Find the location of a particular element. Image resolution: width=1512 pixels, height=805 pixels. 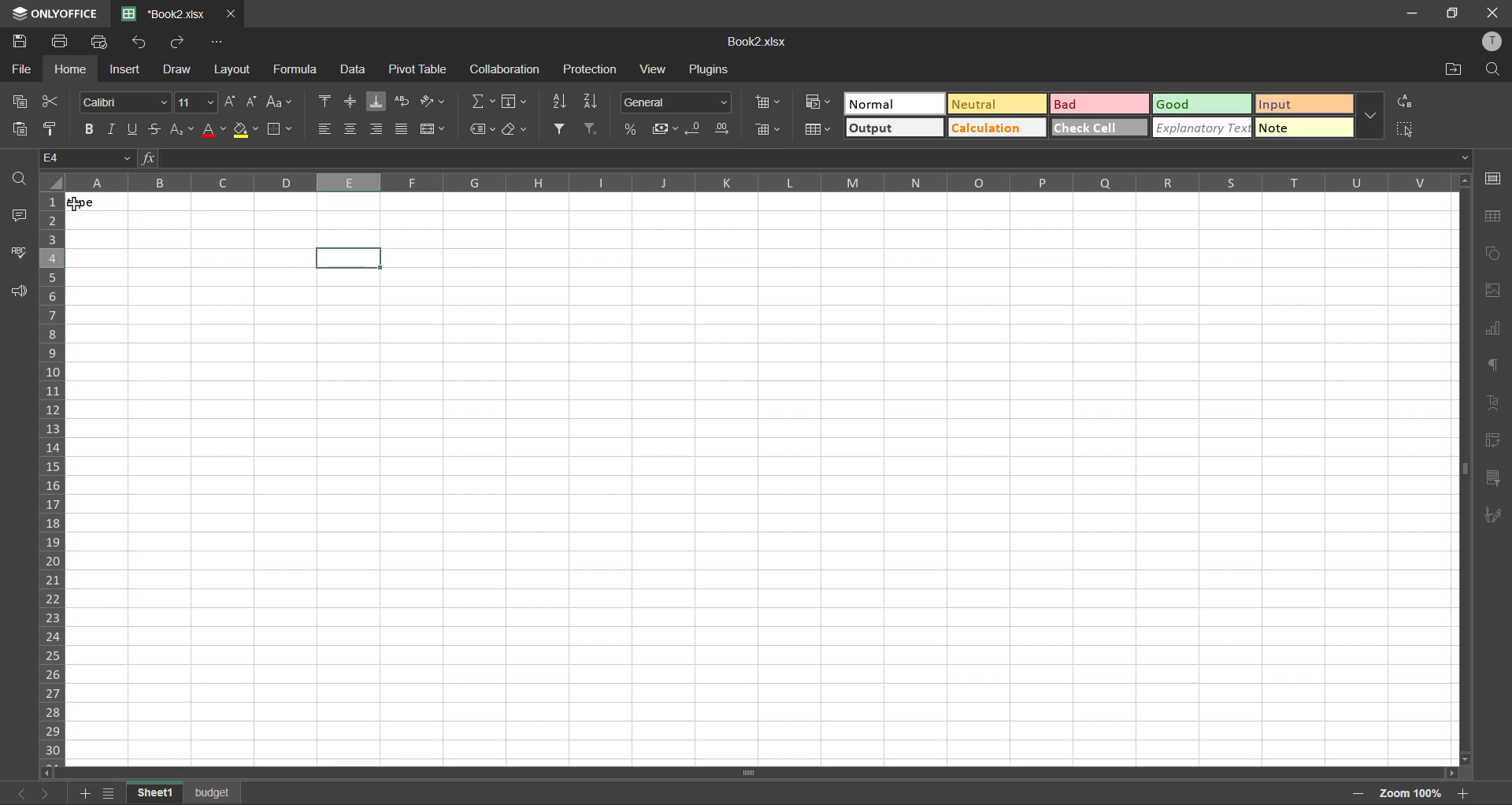

normal is located at coordinates (892, 103).